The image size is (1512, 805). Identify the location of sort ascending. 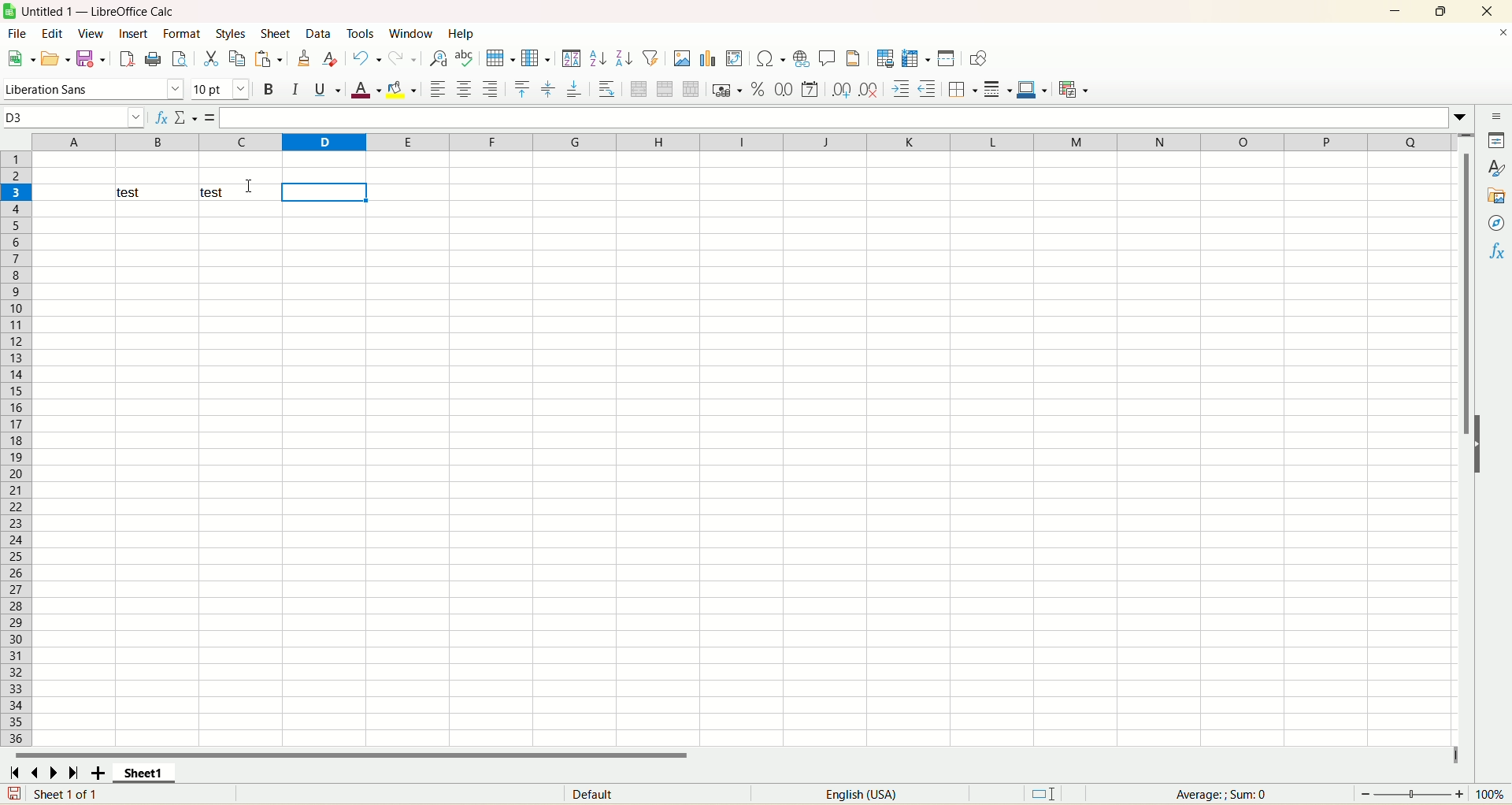
(598, 58).